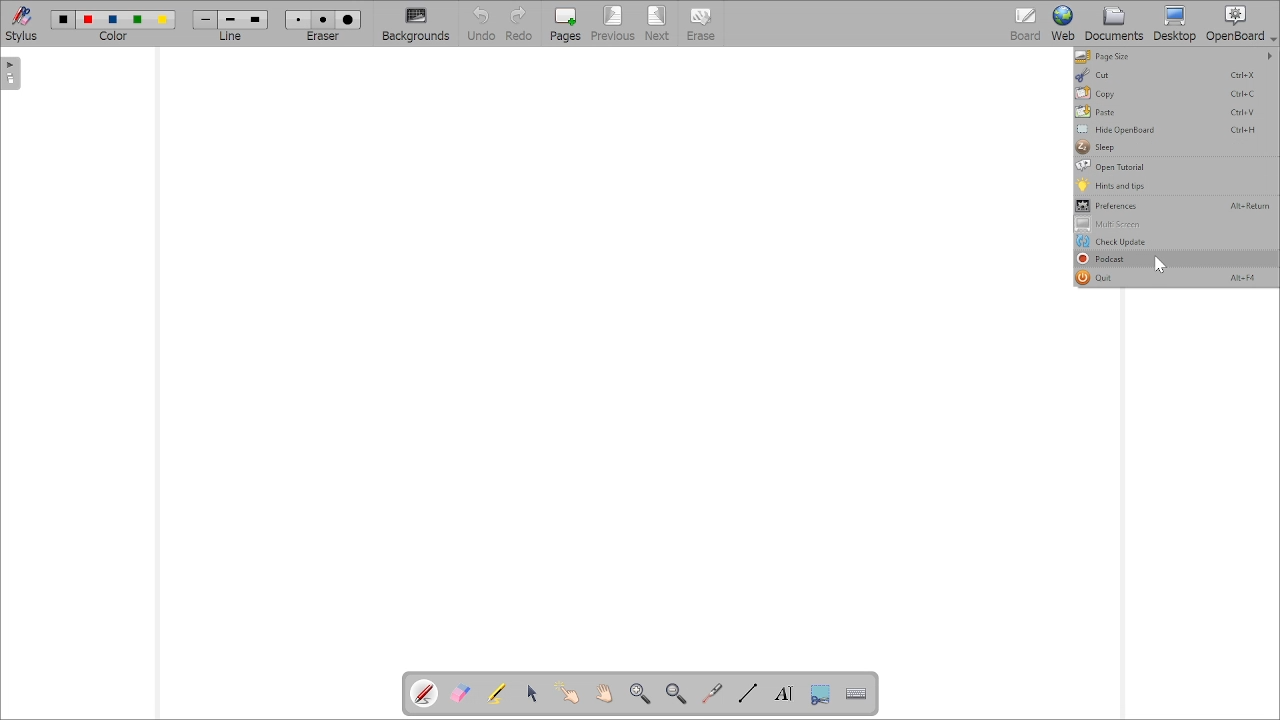  I want to click on Scroll page, so click(603, 694).